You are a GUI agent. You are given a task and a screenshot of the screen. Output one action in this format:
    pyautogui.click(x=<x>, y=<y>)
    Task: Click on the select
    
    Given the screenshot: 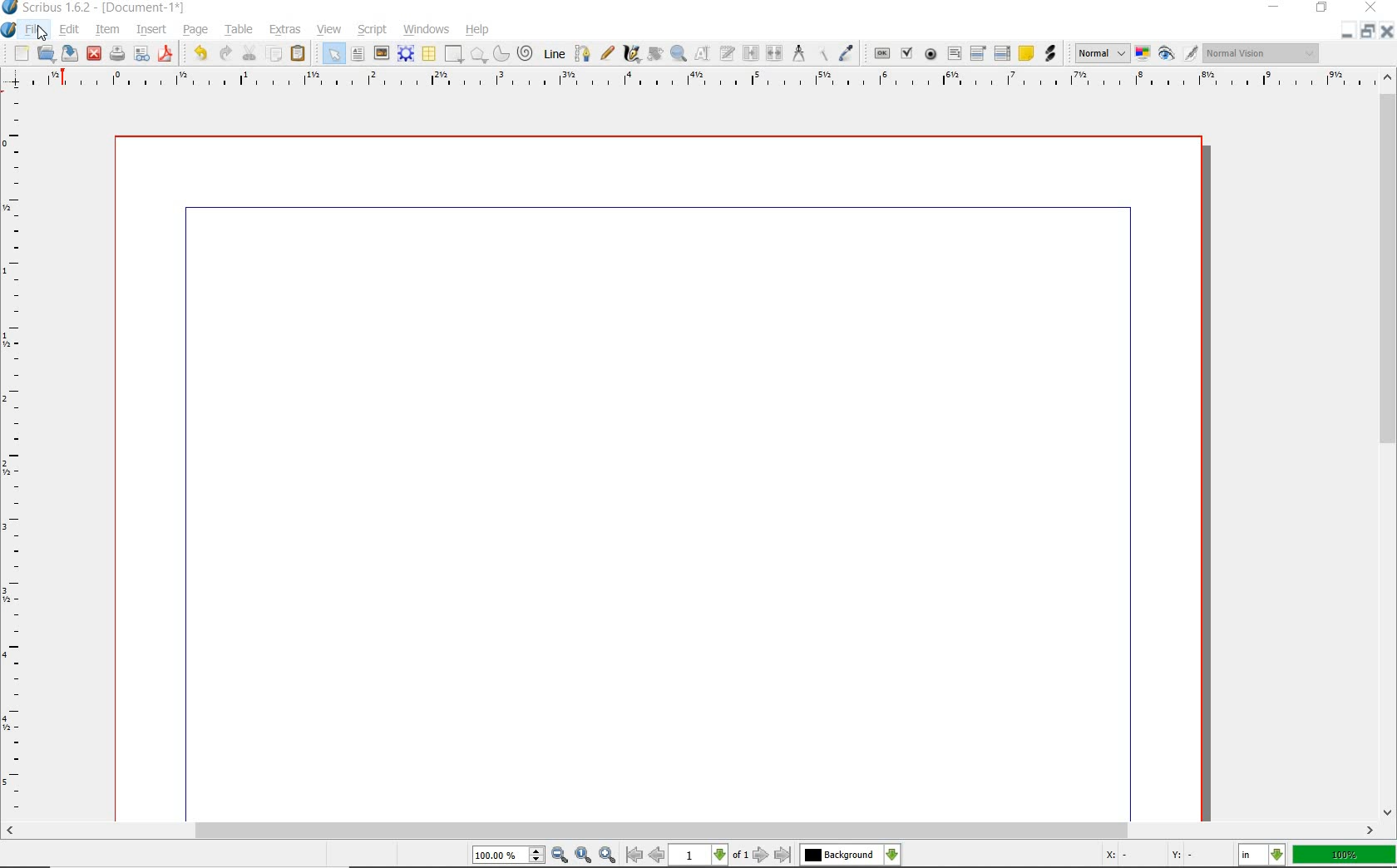 What is the action you would take?
    pyautogui.click(x=333, y=55)
    